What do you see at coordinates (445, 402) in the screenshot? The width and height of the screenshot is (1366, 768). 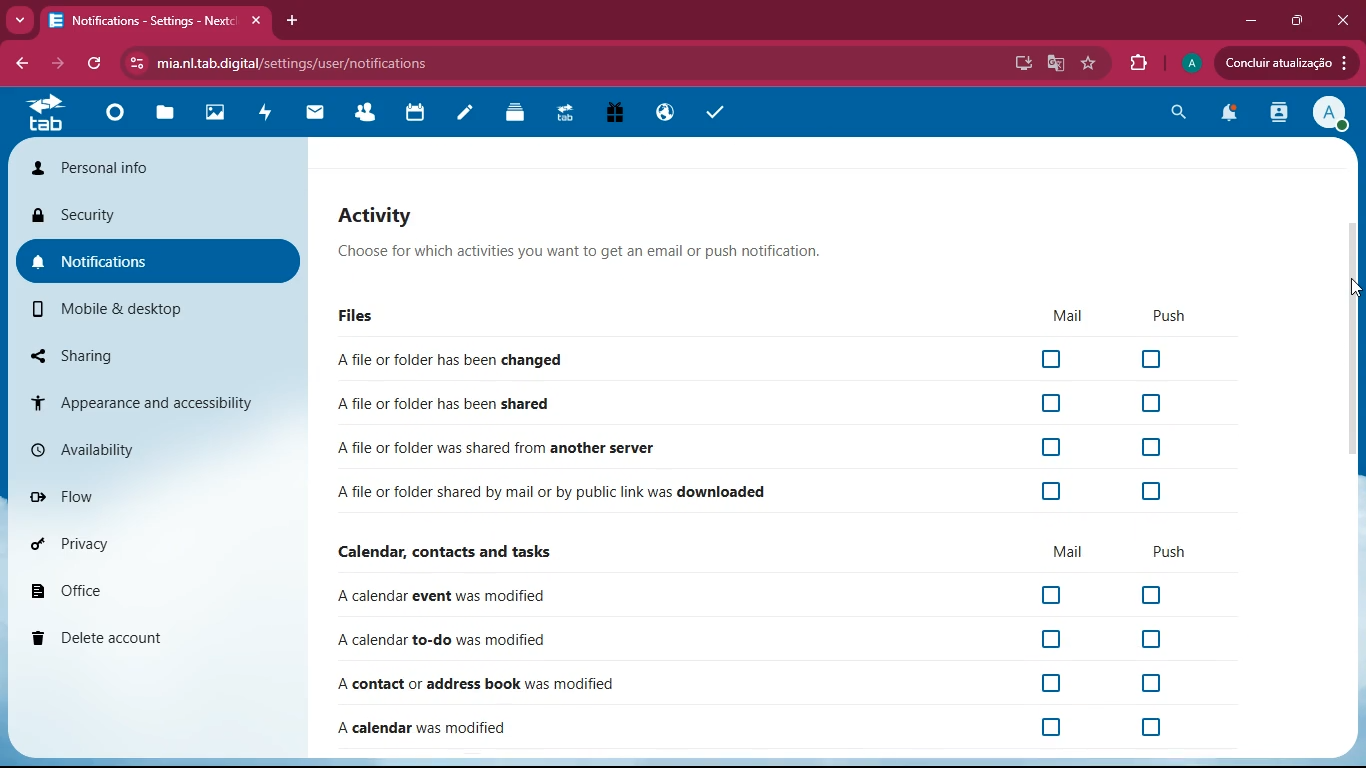 I see `A file or folder has been shared` at bounding box center [445, 402].